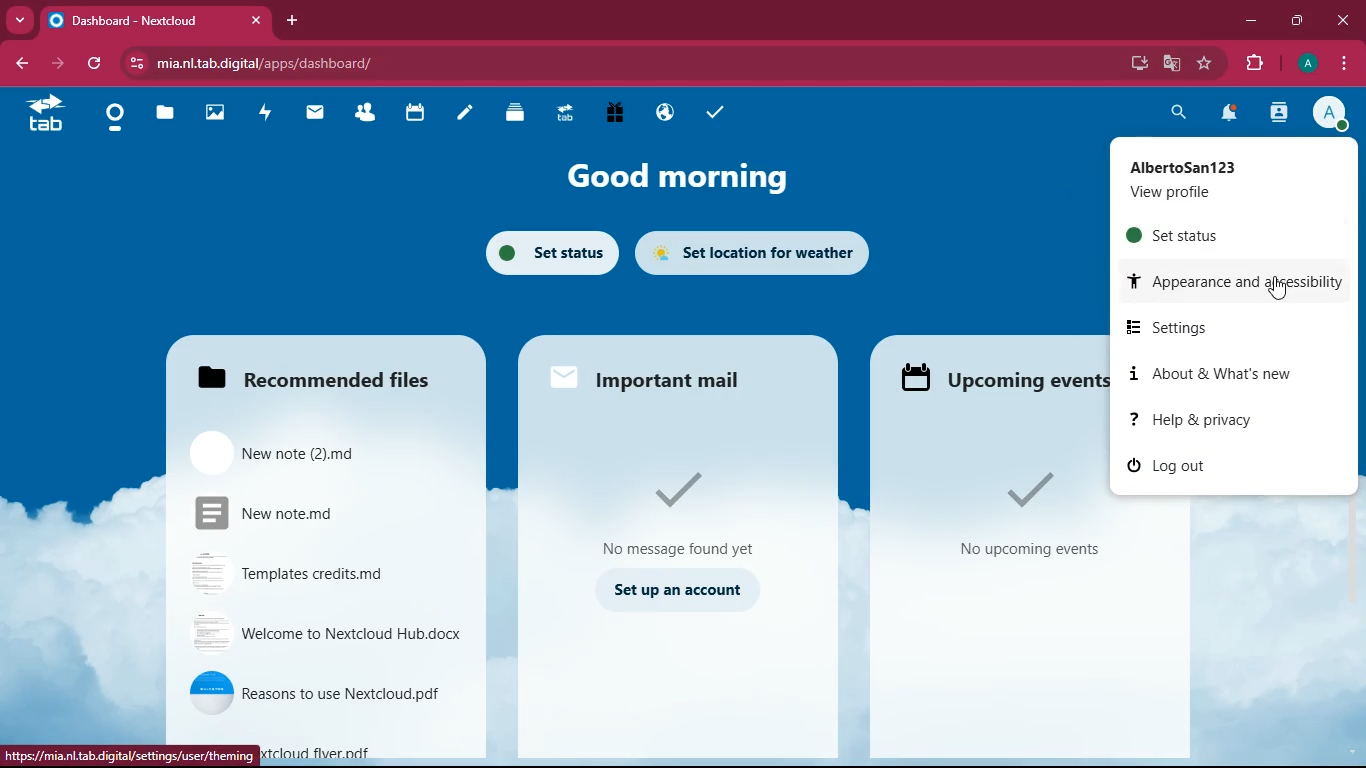 This screenshot has width=1366, height=768. Describe the element at coordinates (316, 114) in the screenshot. I see `mail` at that location.